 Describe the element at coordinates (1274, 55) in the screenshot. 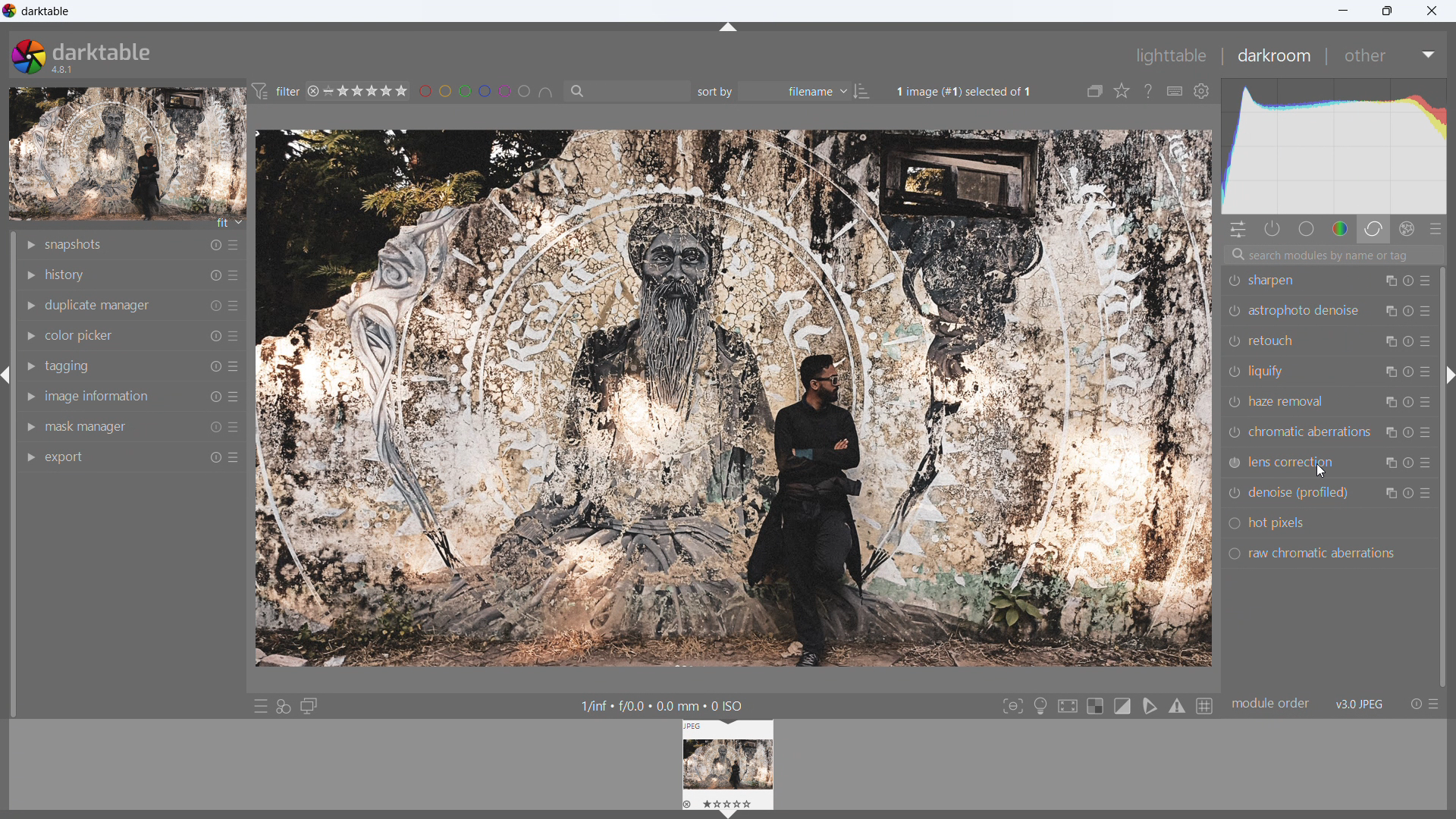

I see `darkroom` at that location.